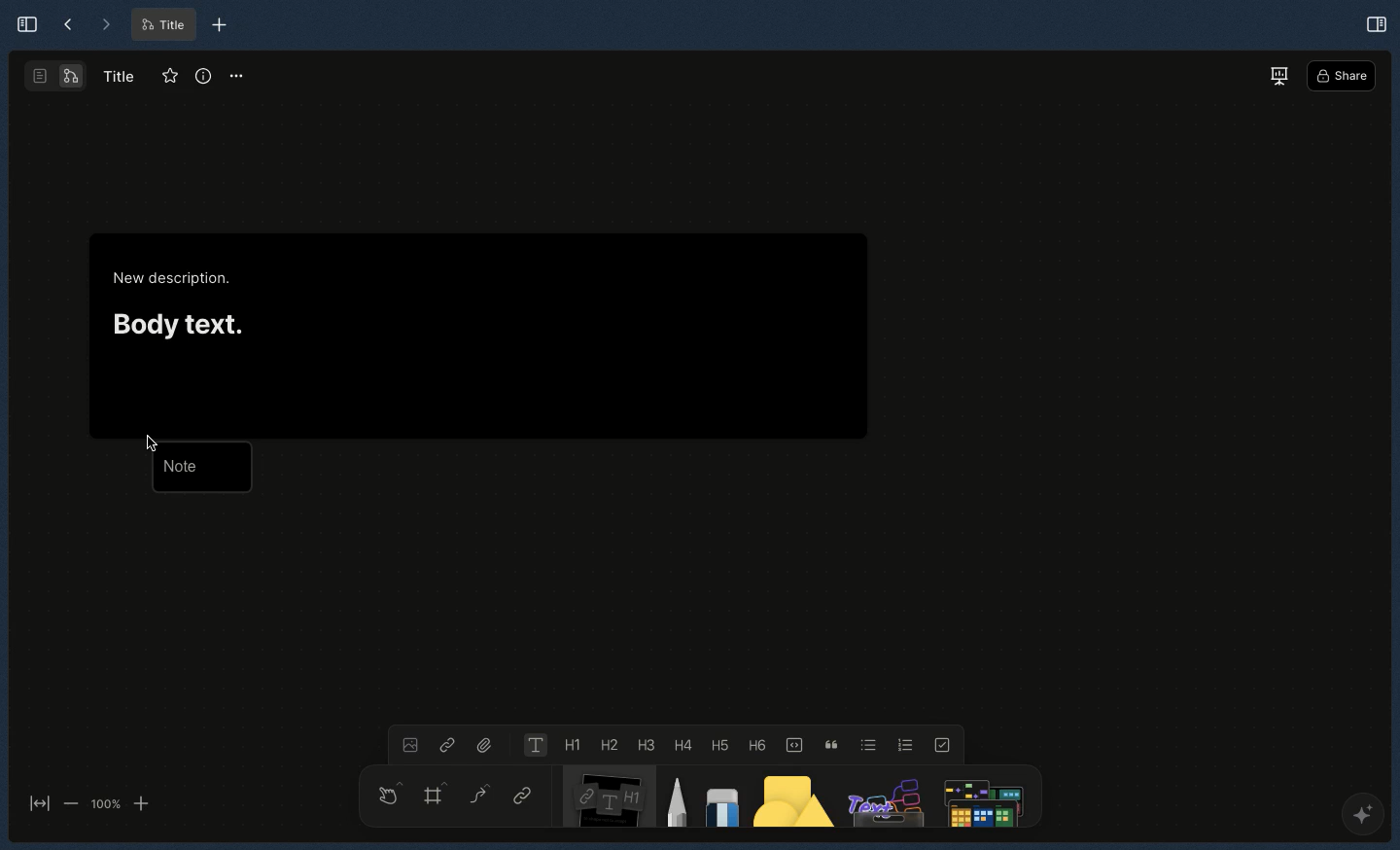 This screenshot has height=850, width=1400. I want to click on zoom in, so click(141, 804).